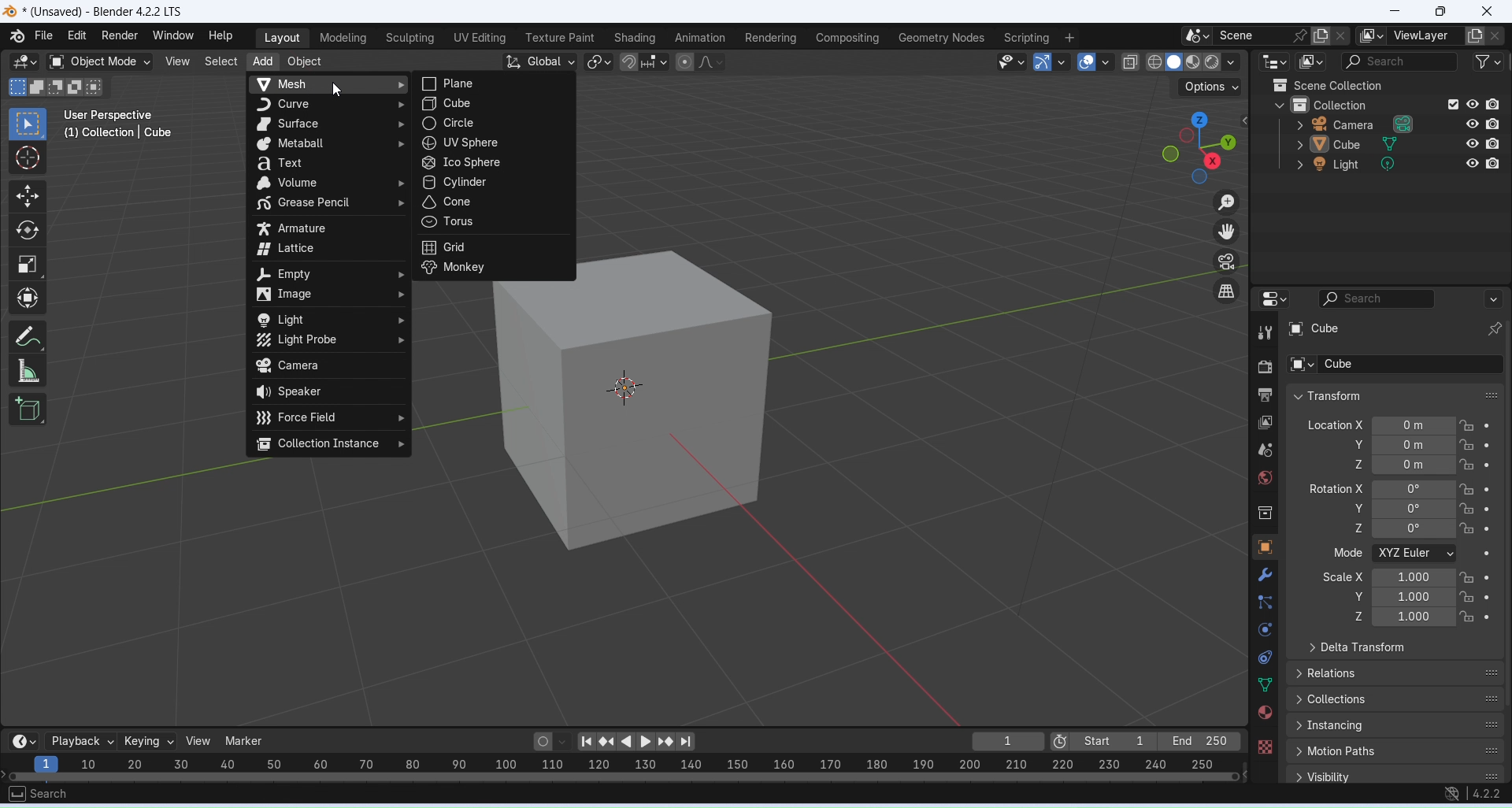  I want to click on Editor type, so click(1277, 61).